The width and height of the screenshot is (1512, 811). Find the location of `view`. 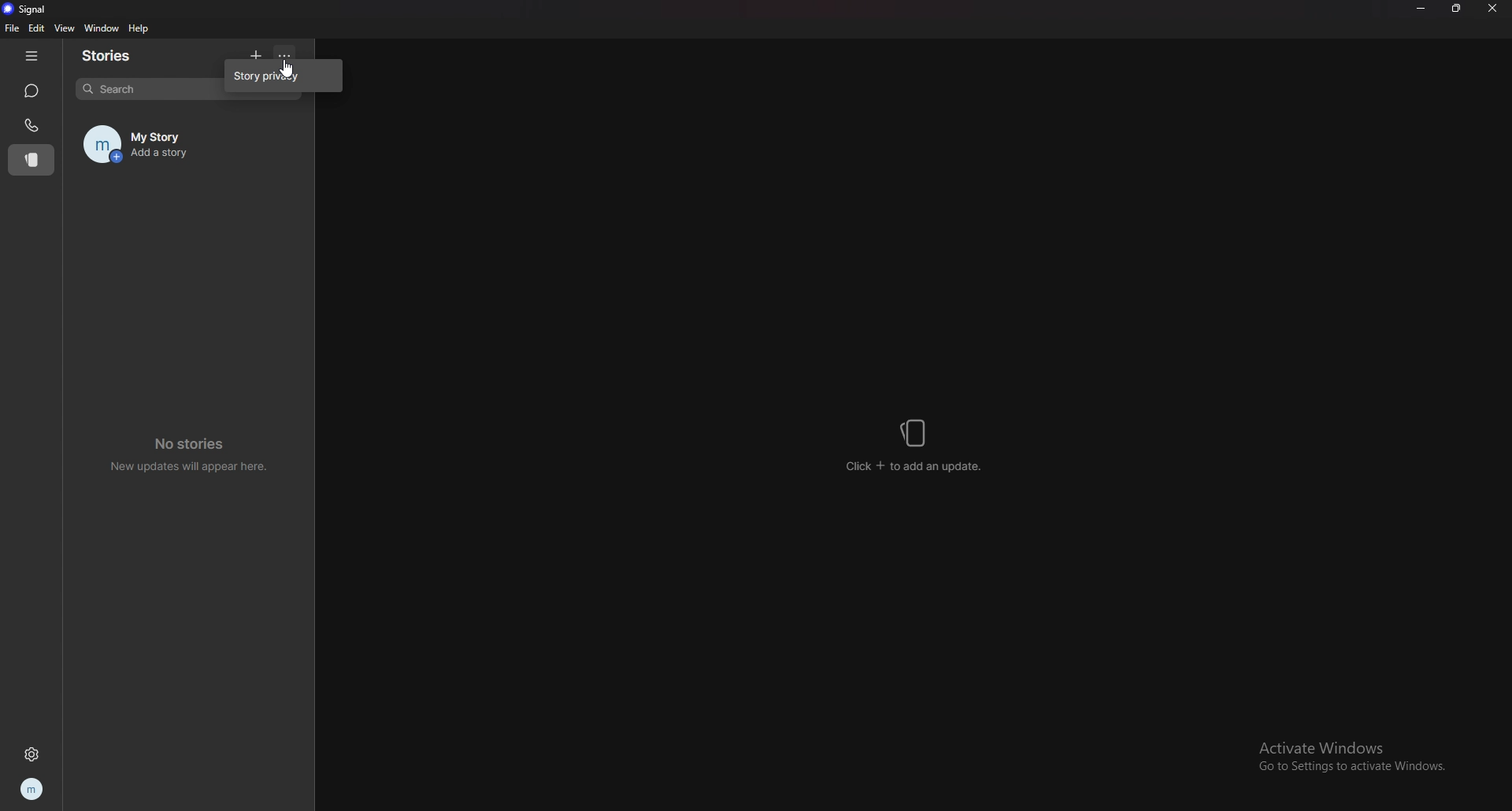

view is located at coordinates (65, 28).